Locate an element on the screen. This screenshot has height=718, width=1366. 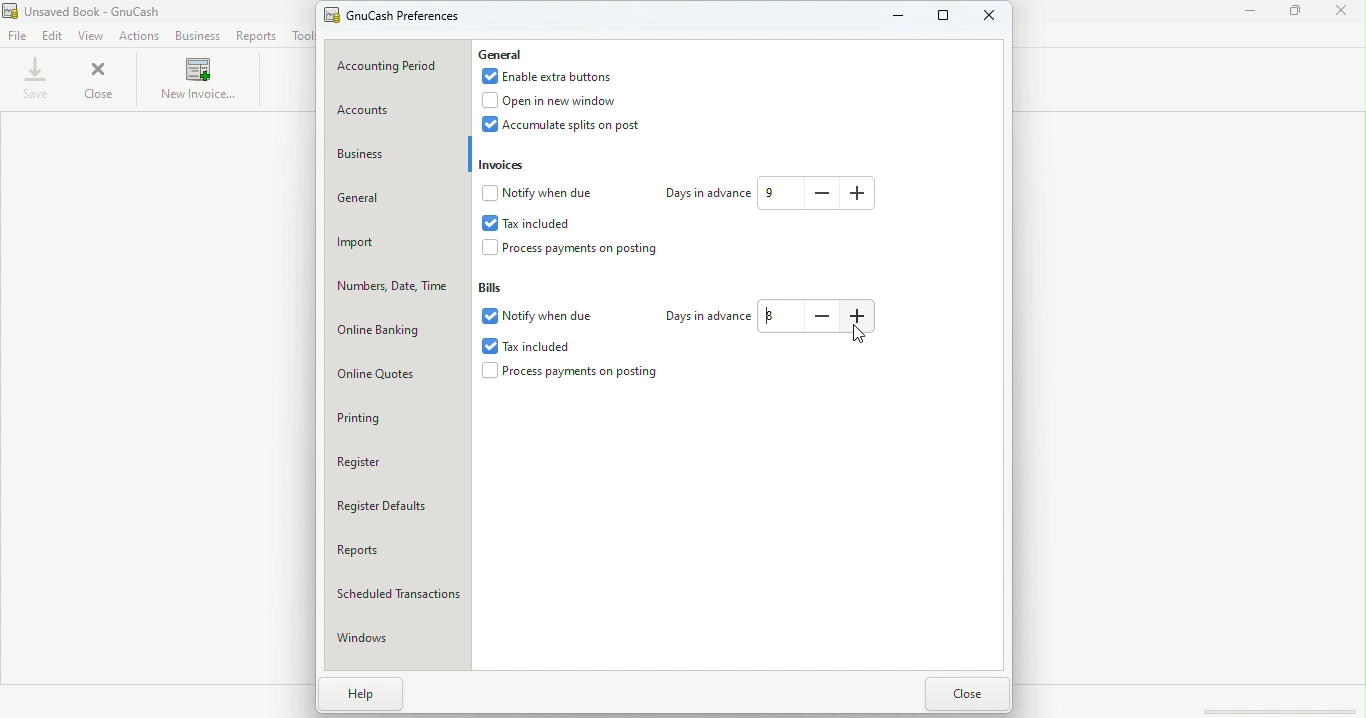
Import is located at coordinates (395, 242).